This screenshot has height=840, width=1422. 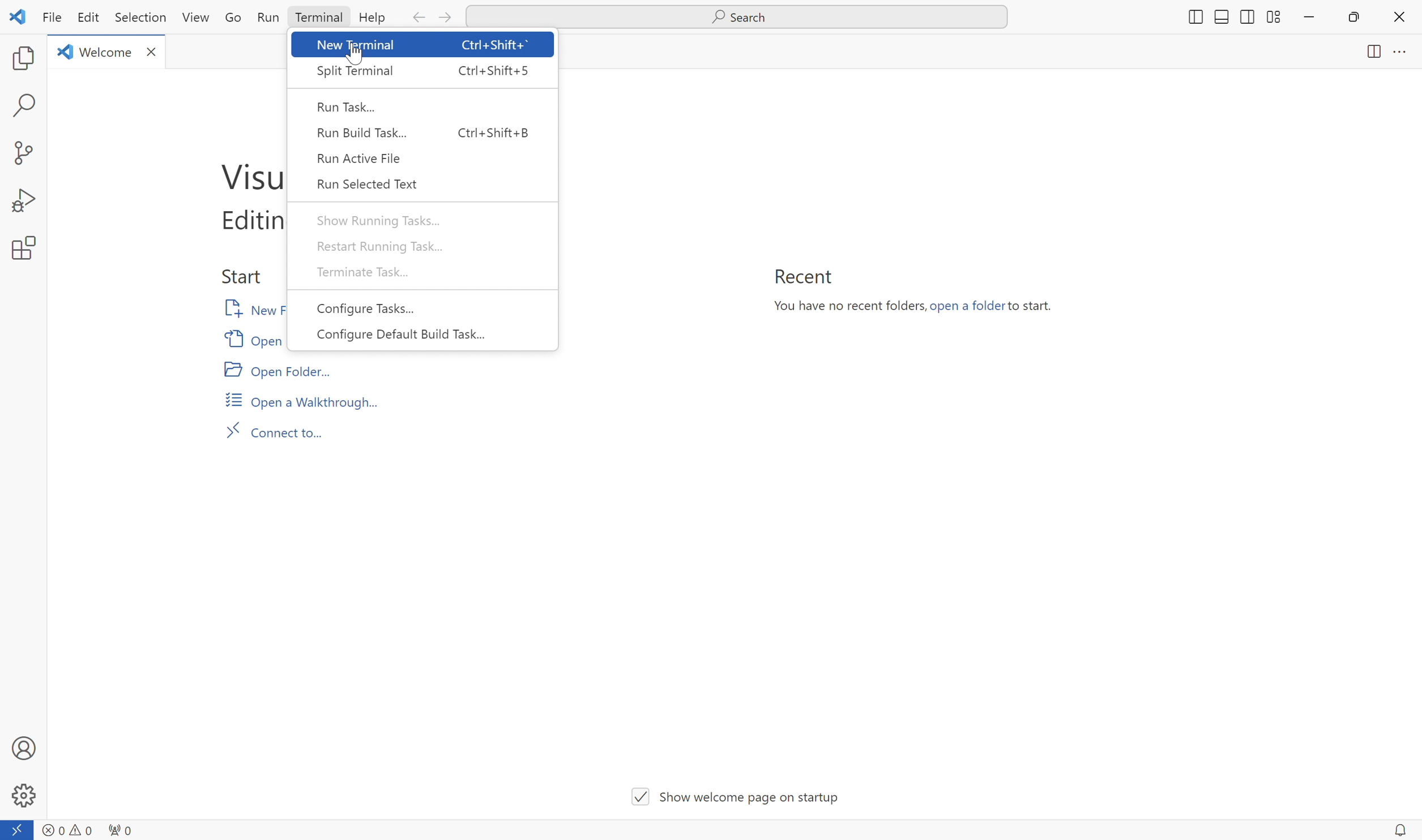 What do you see at coordinates (1272, 15) in the screenshot?
I see `split` at bounding box center [1272, 15].